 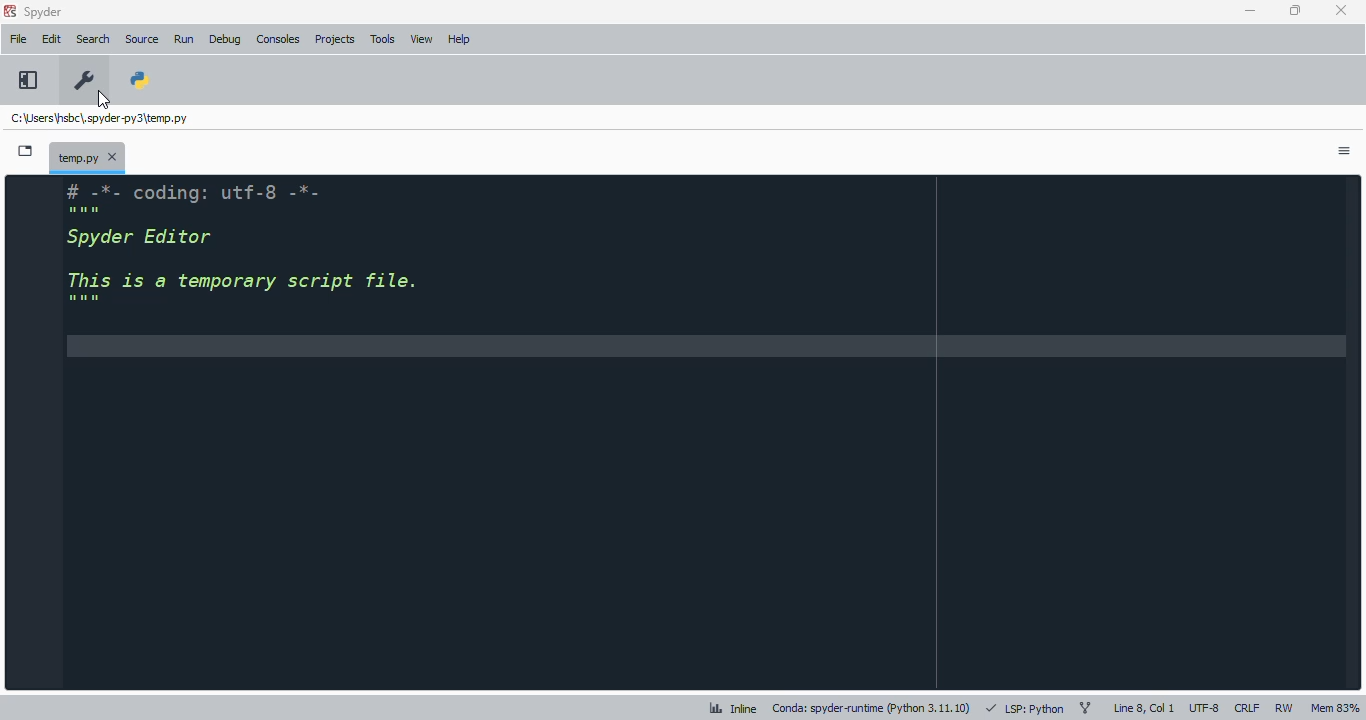 I want to click on tools, so click(x=382, y=39).